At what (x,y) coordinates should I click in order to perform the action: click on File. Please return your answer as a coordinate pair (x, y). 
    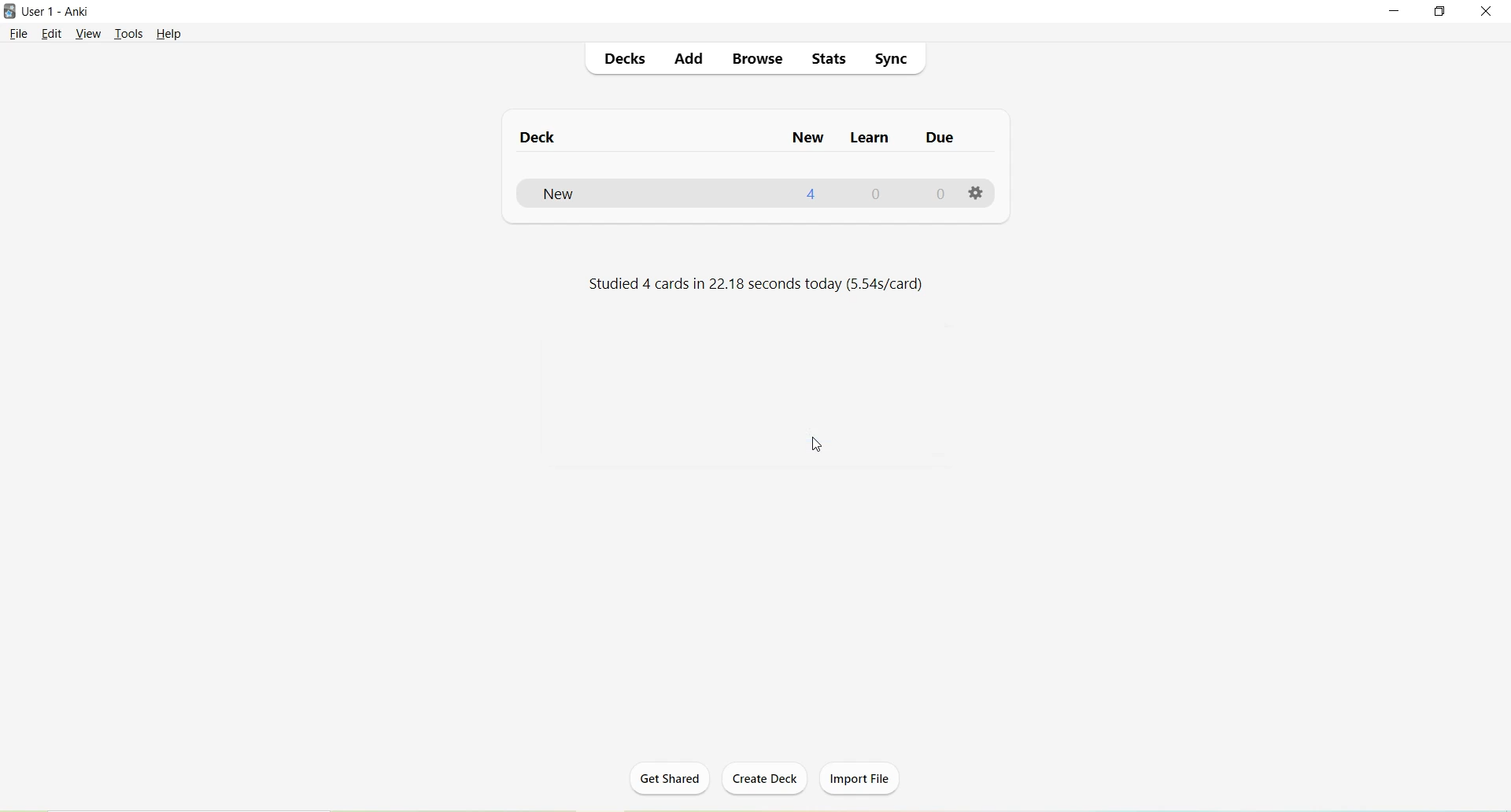
    Looking at the image, I should click on (17, 35).